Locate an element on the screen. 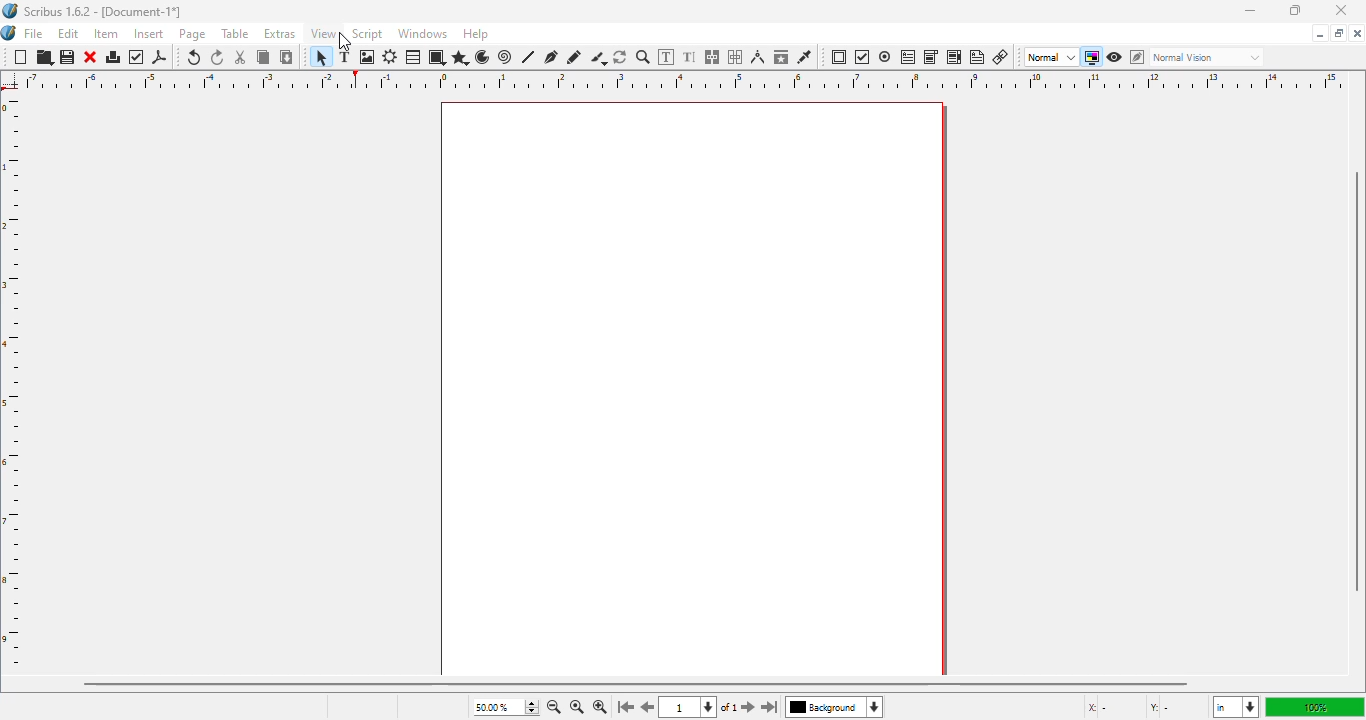 This screenshot has width=1366, height=720. close is located at coordinates (1357, 33).